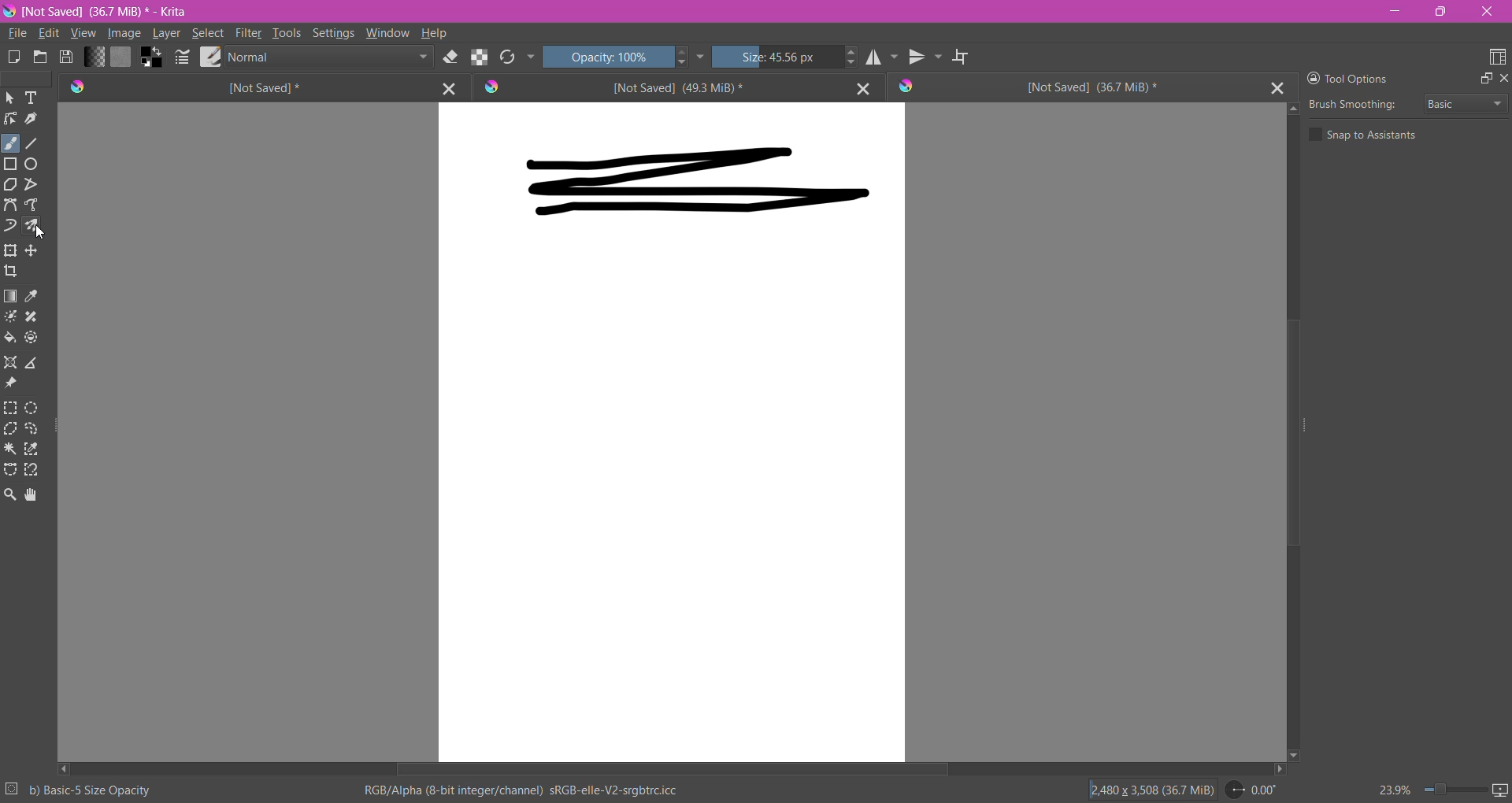 Image resolution: width=1512 pixels, height=803 pixels. I want to click on Choose Workspace, so click(1496, 57).